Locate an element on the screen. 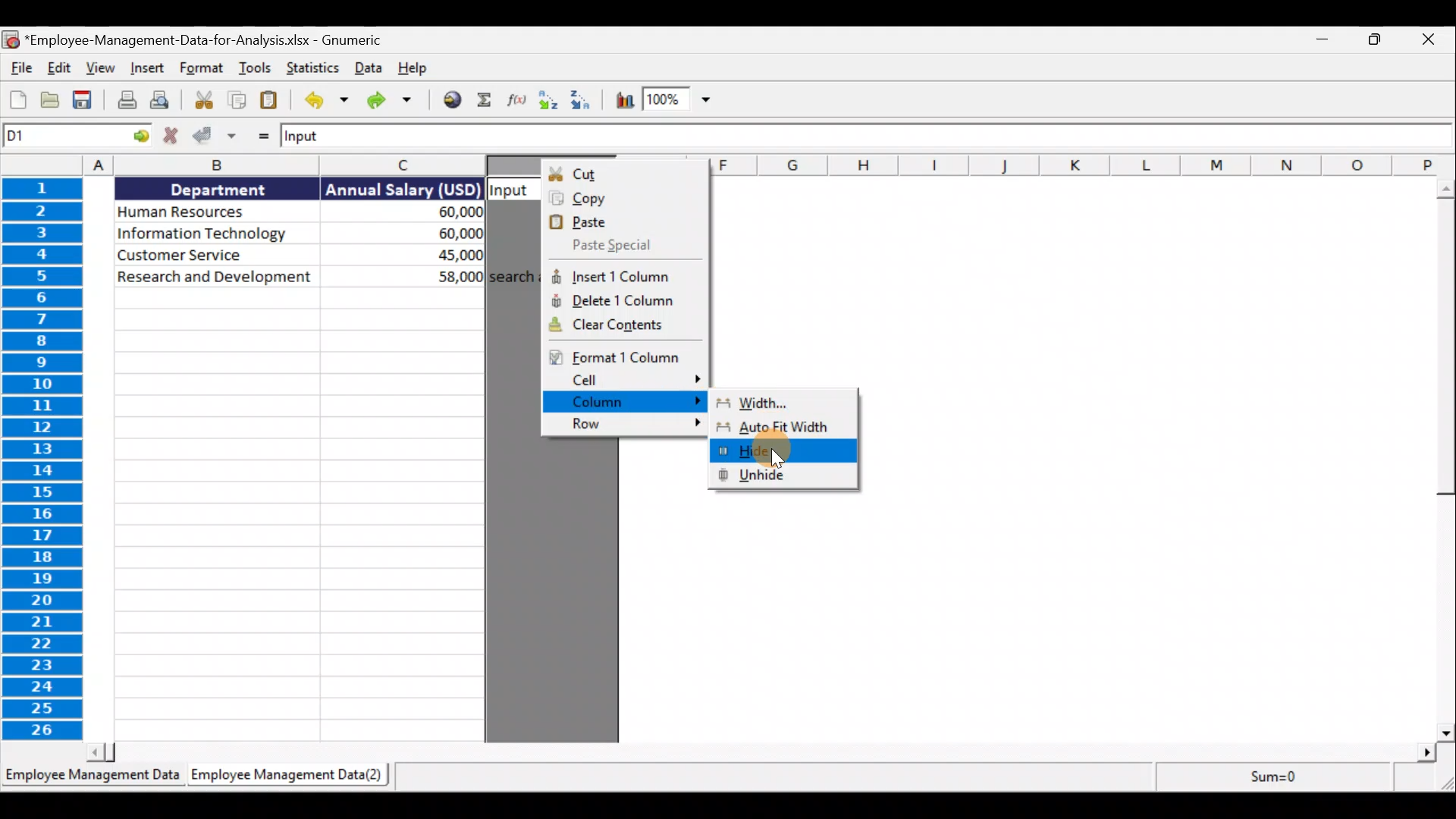 The width and height of the screenshot is (1456, 819). Insert hyperlink is located at coordinates (450, 100).